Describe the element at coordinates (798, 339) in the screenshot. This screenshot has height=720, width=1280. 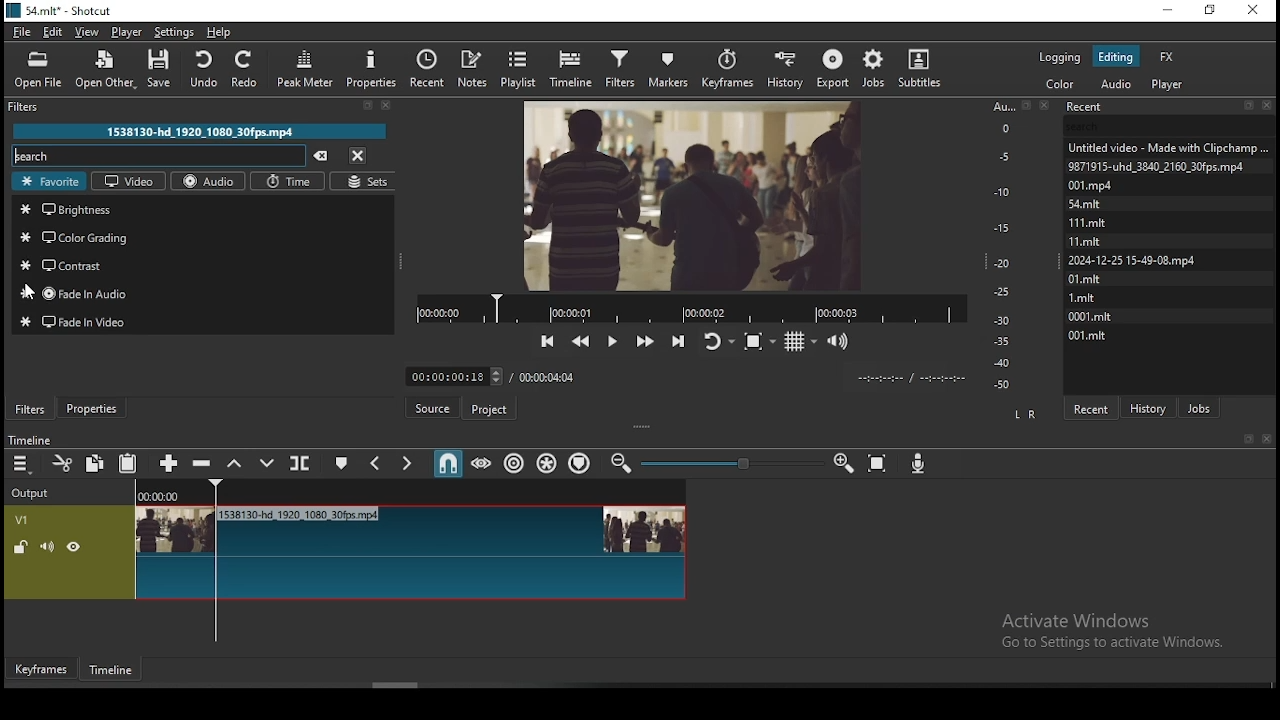
I see `toggle grid display on the player` at that location.